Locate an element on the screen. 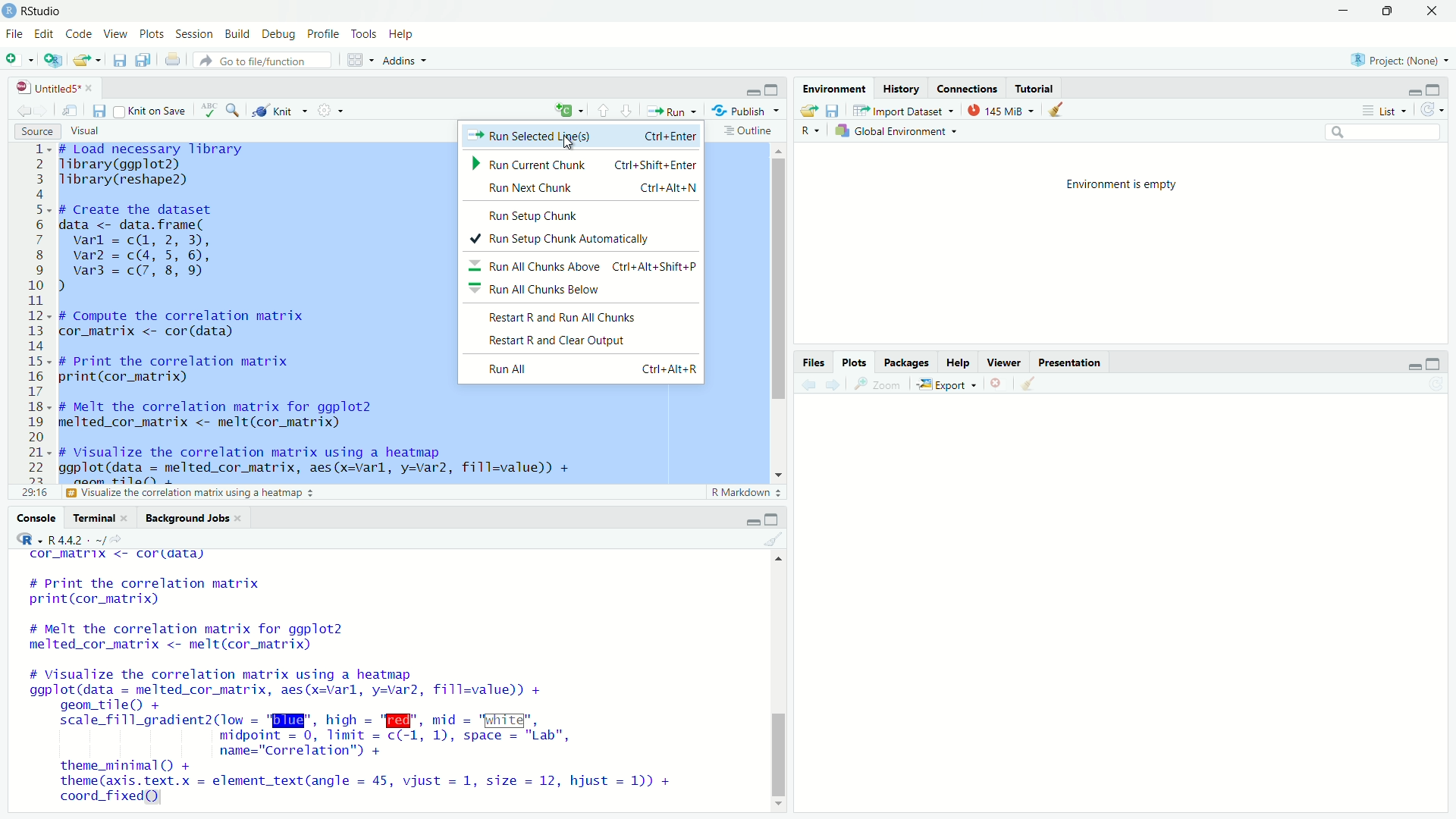 The image size is (1456, 819). tools is located at coordinates (364, 35).